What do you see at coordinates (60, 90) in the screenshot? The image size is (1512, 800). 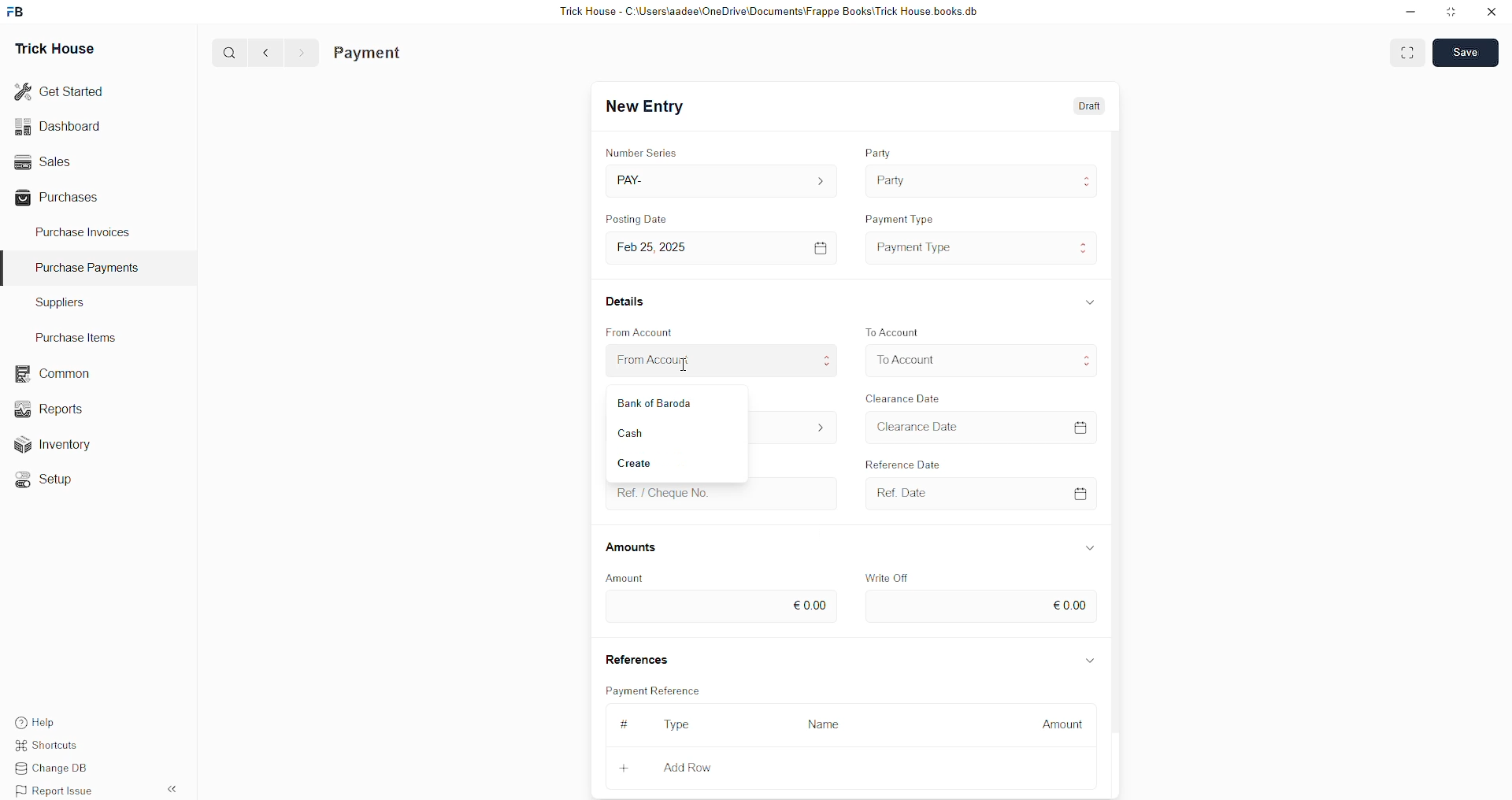 I see ` Get Started` at bounding box center [60, 90].